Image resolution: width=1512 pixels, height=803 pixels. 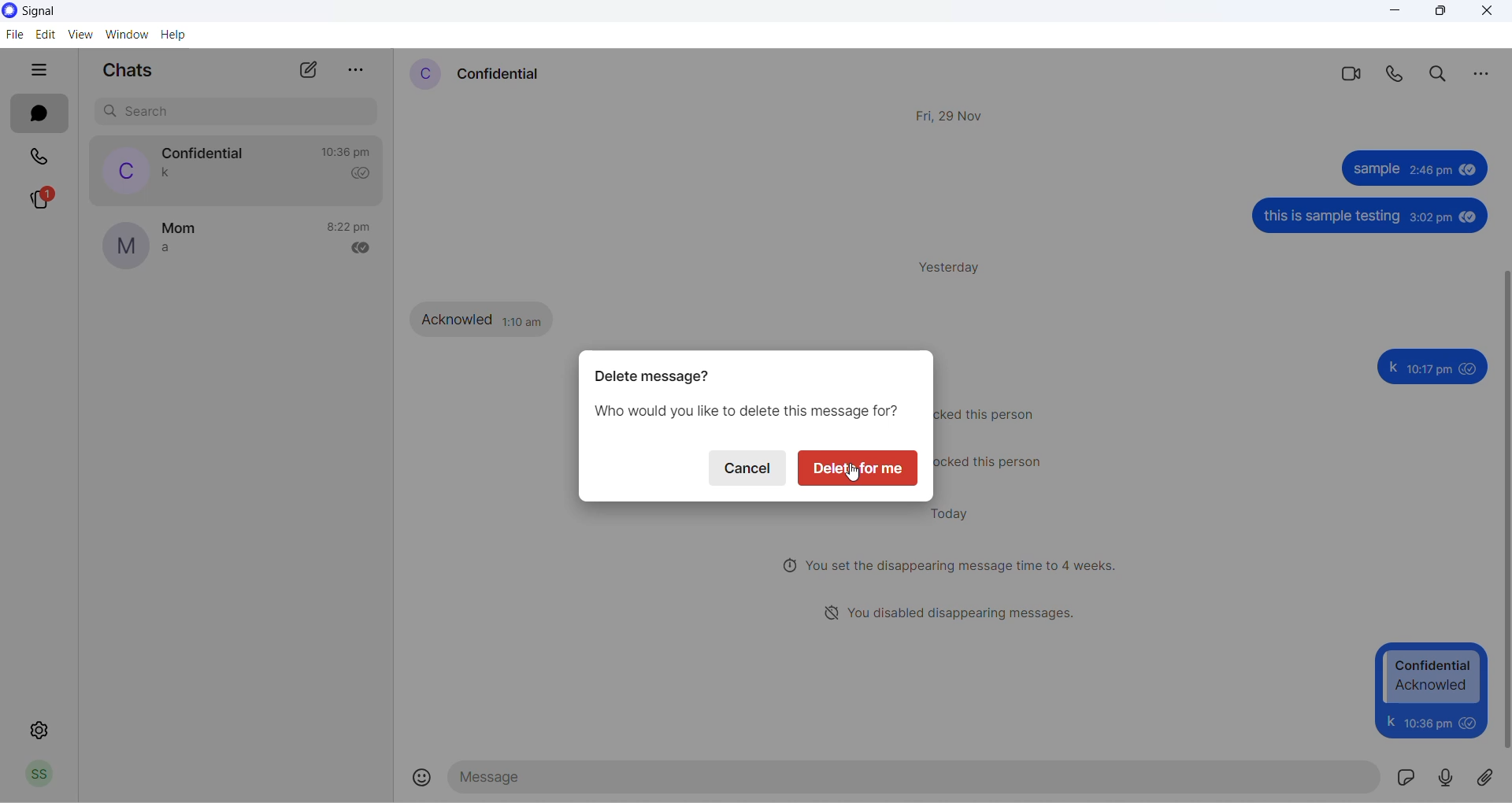 I want to click on share attachments, so click(x=1490, y=775).